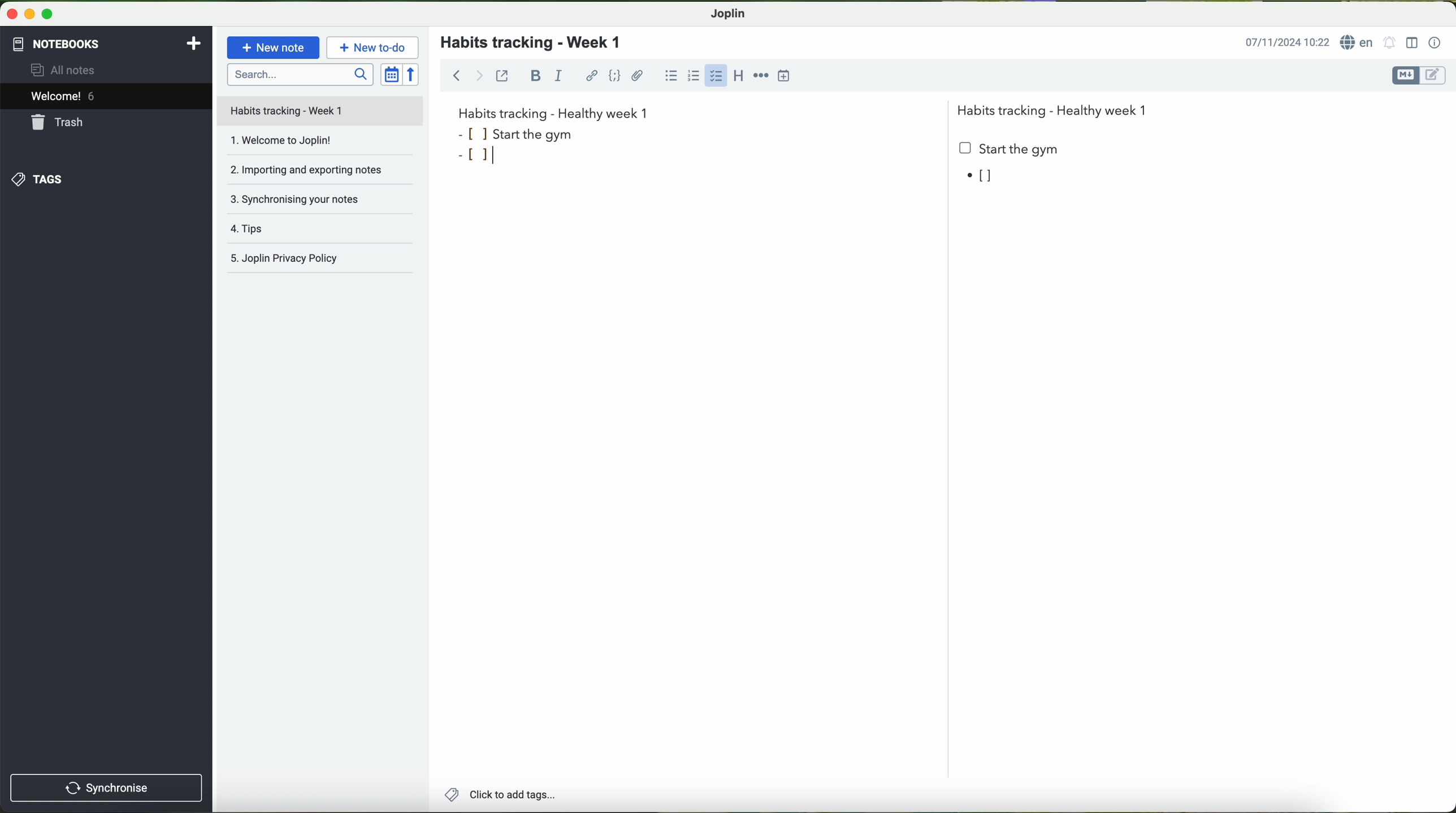 The image size is (1456, 813). I want to click on Joplin, so click(727, 14).